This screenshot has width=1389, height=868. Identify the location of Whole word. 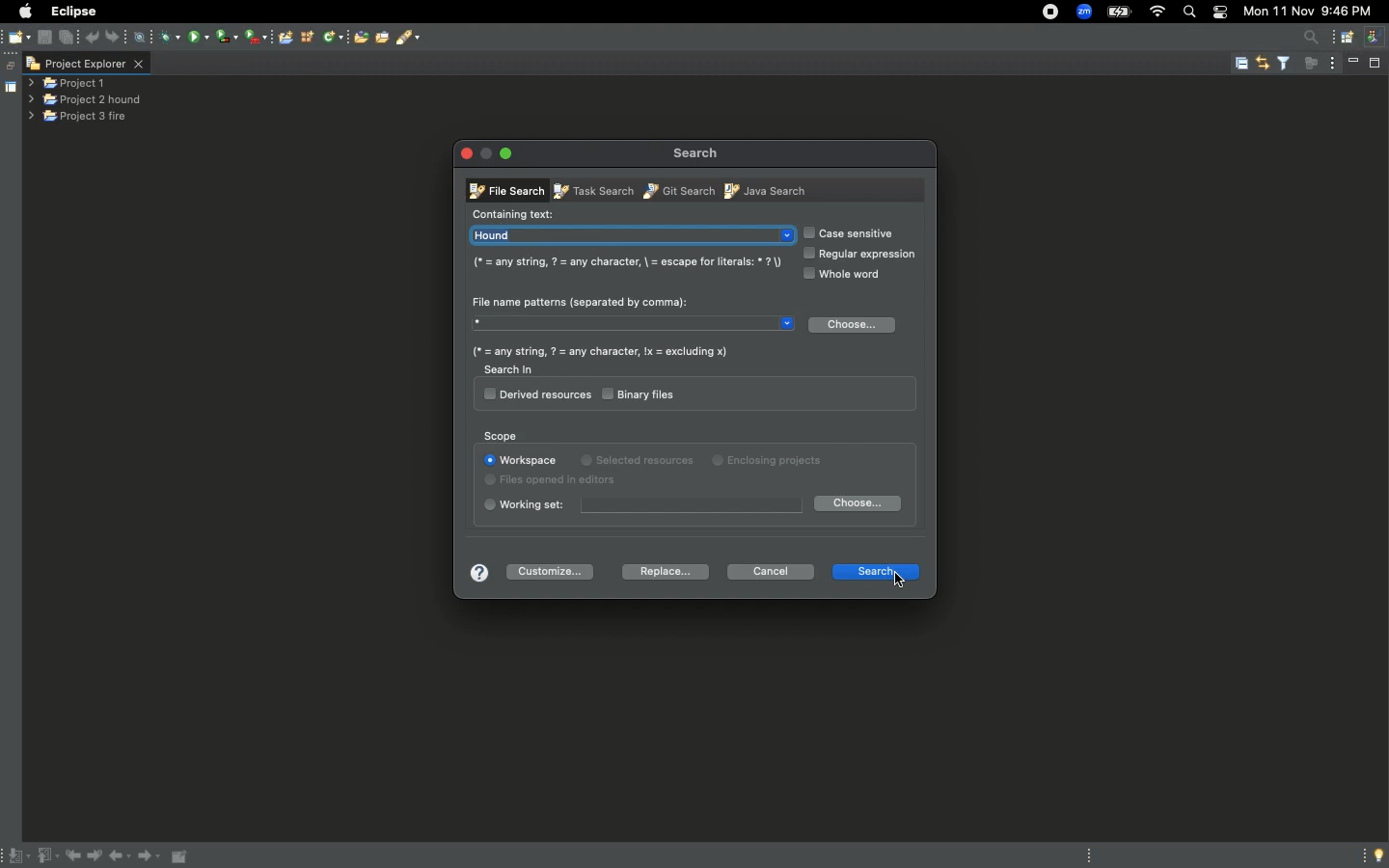
(848, 275).